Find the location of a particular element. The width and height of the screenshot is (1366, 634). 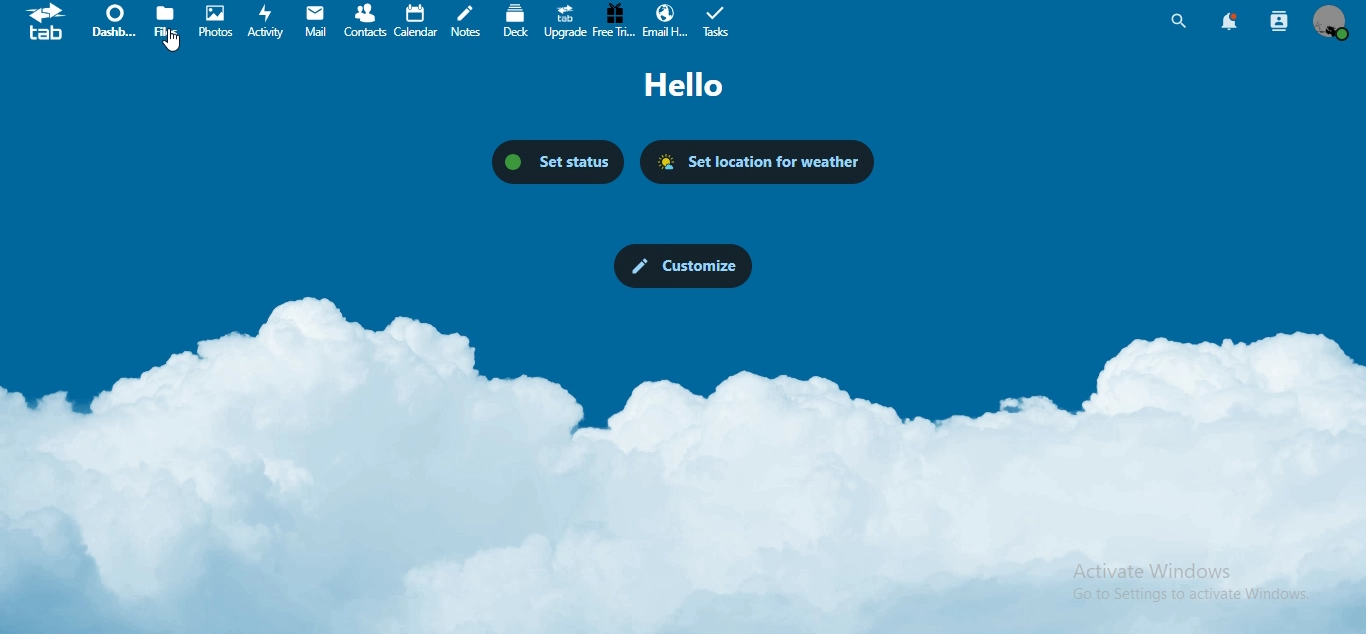

photos is located at coordinates (219, 20).